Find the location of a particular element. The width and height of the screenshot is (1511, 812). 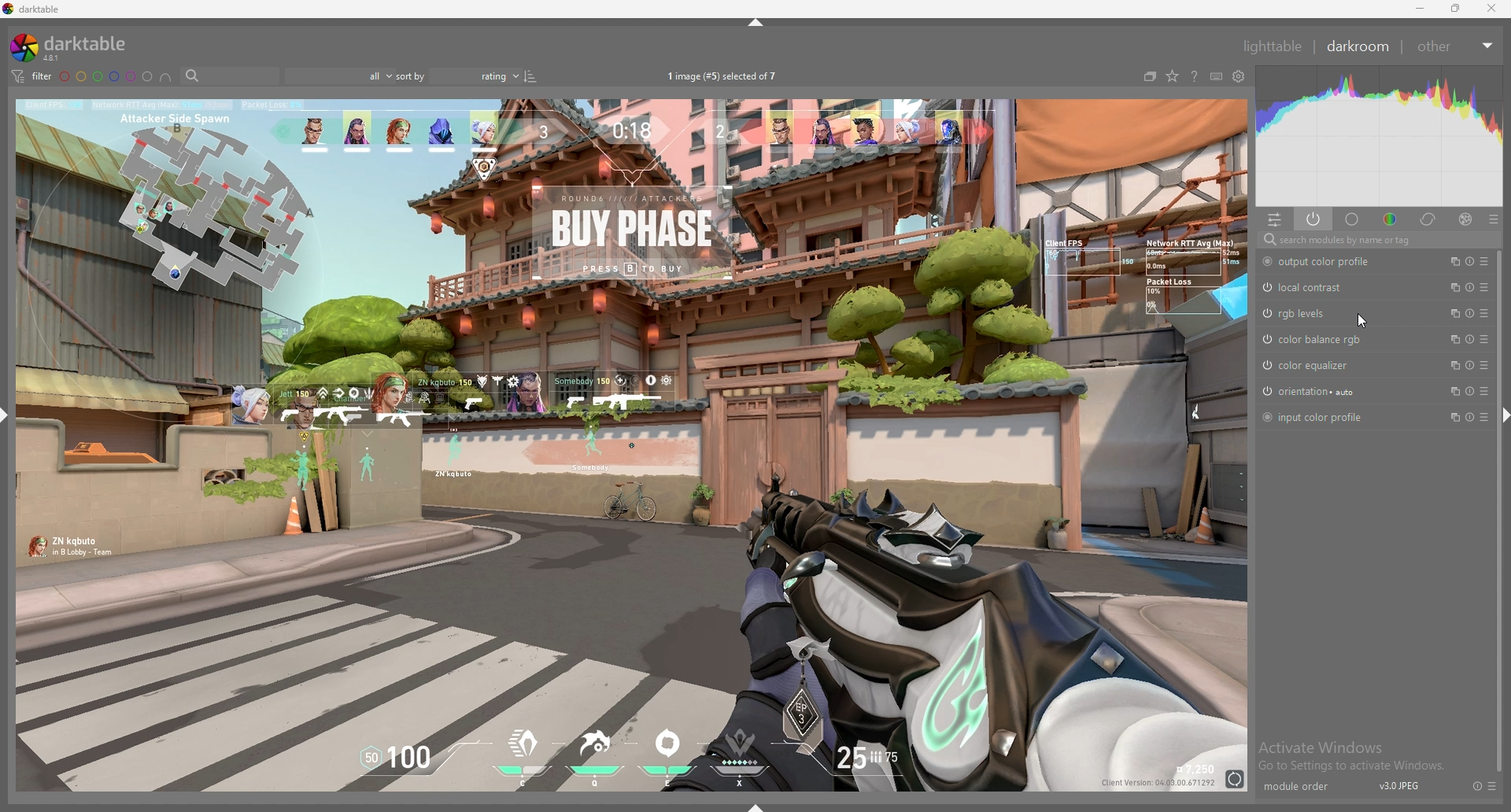

presets is located at coordinates (1486, 417).